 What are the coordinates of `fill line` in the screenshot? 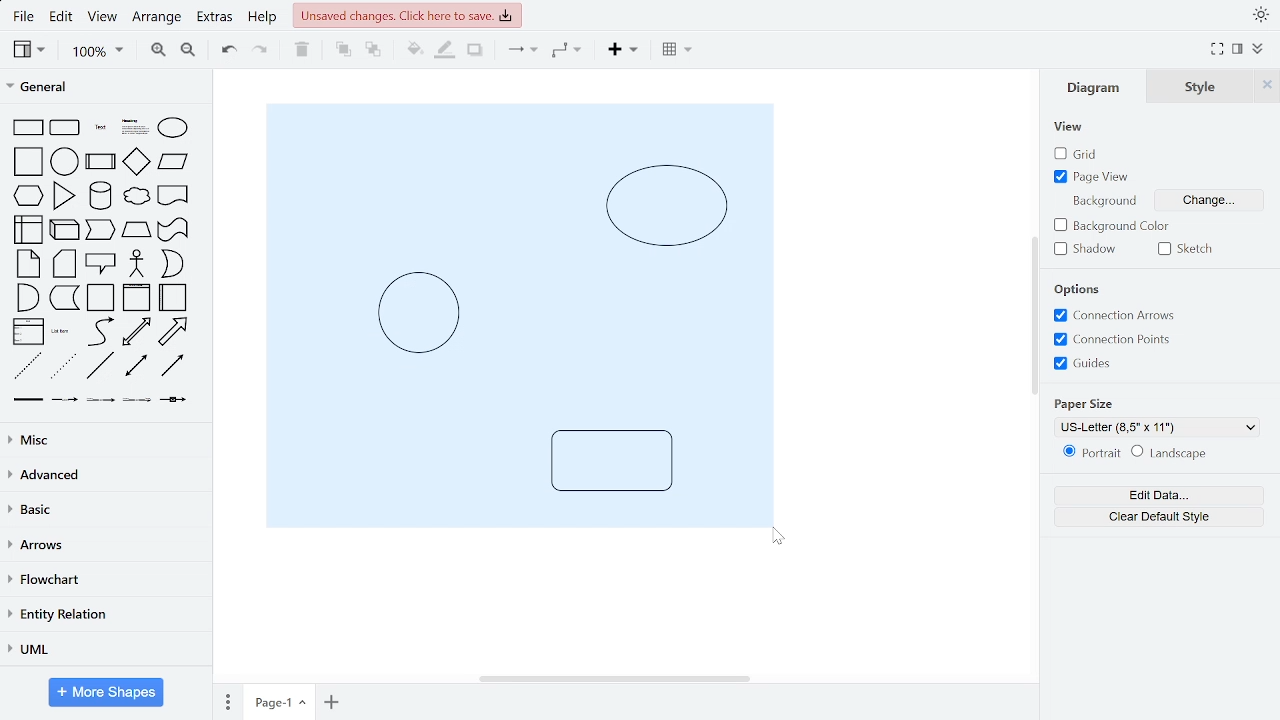 It's located at (446, 51).